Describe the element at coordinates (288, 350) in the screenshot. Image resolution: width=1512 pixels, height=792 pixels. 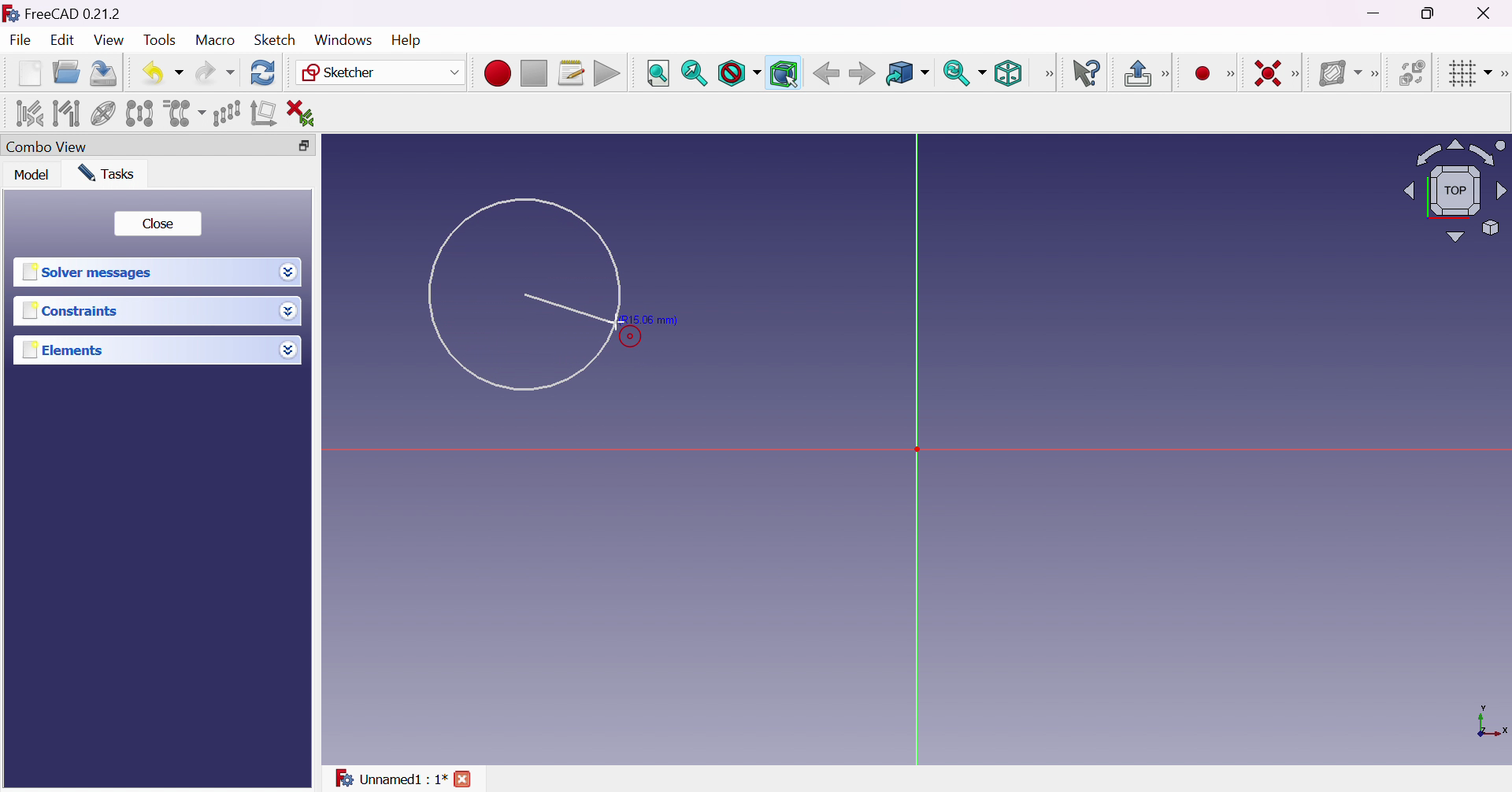
I see `Drop down` at that location.